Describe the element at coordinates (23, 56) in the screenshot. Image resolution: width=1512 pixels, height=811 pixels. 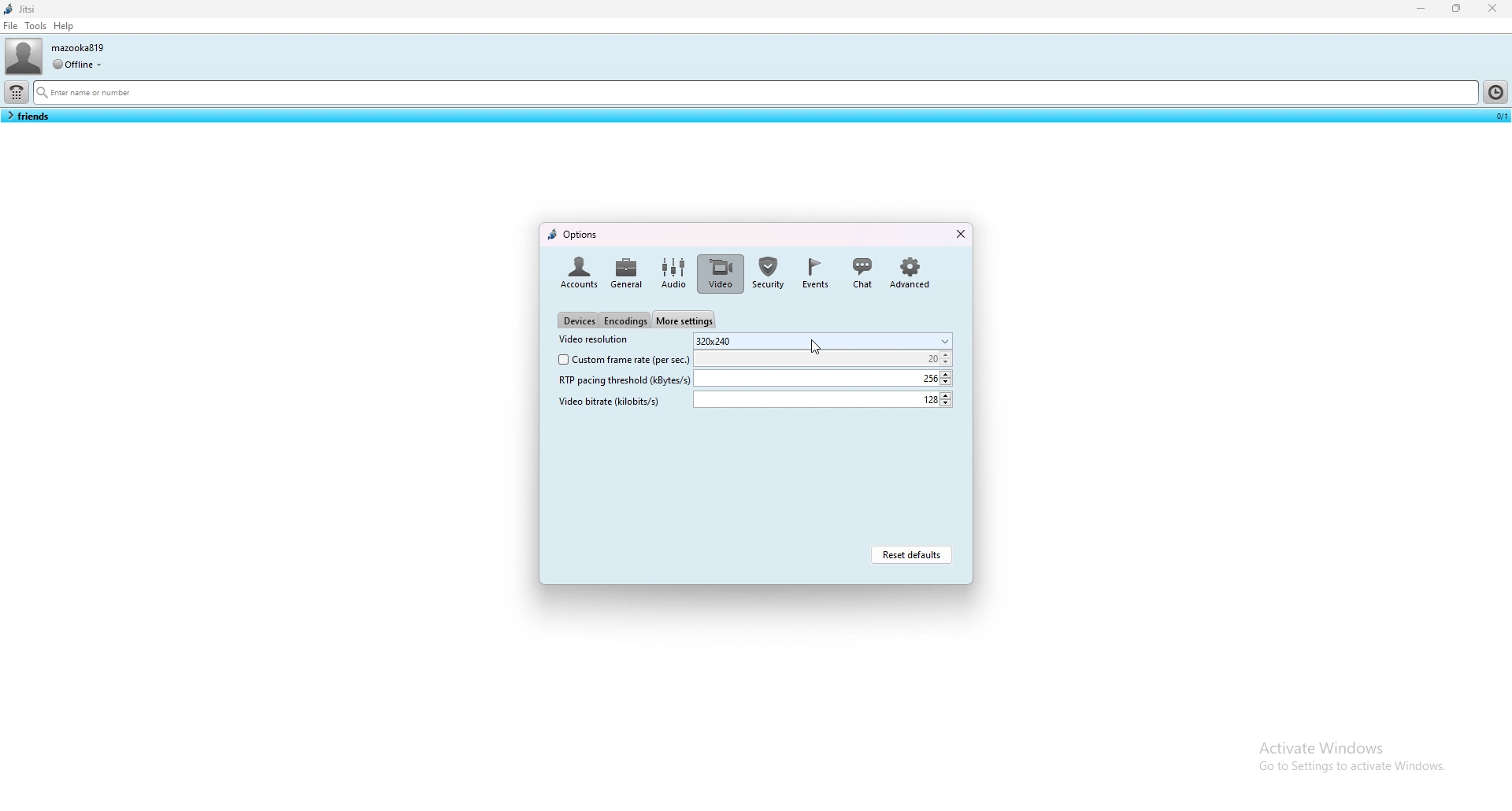
I see `user photo` at that location.